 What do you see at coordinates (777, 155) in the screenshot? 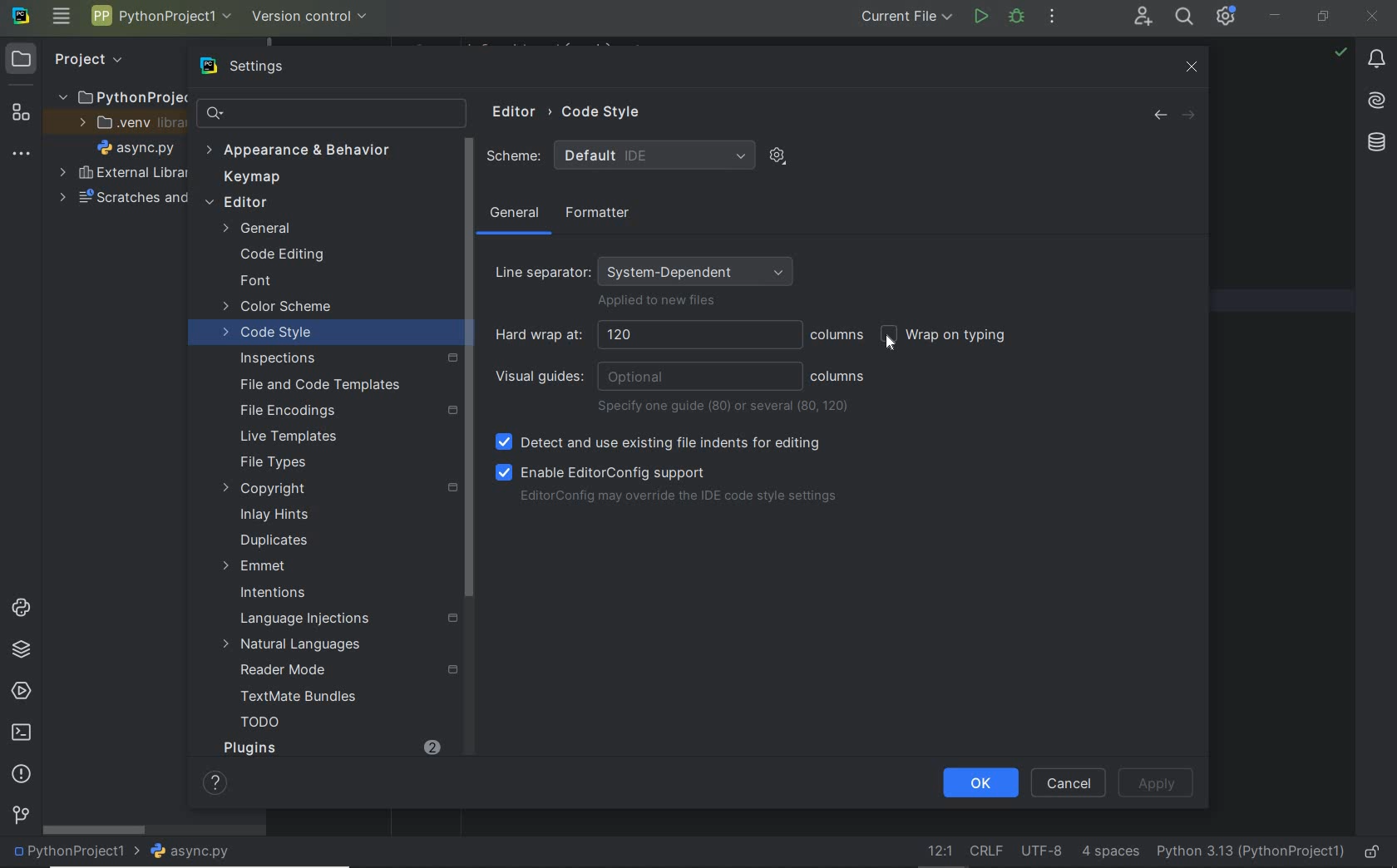
I see `show scheme actions` at bounding box center [777, 155].